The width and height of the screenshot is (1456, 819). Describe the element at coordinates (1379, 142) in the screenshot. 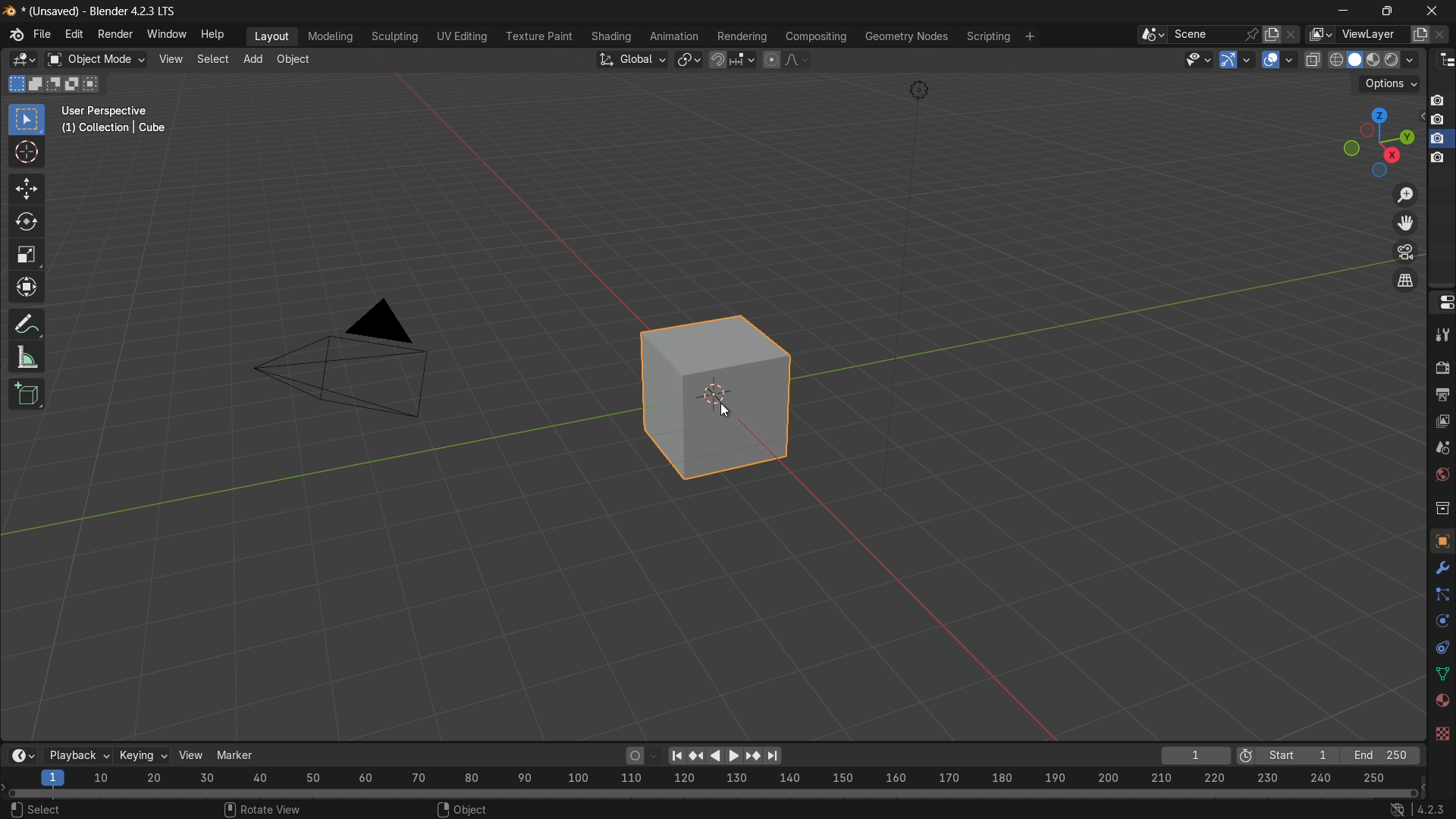

I see `preset viewpoint` at that location.